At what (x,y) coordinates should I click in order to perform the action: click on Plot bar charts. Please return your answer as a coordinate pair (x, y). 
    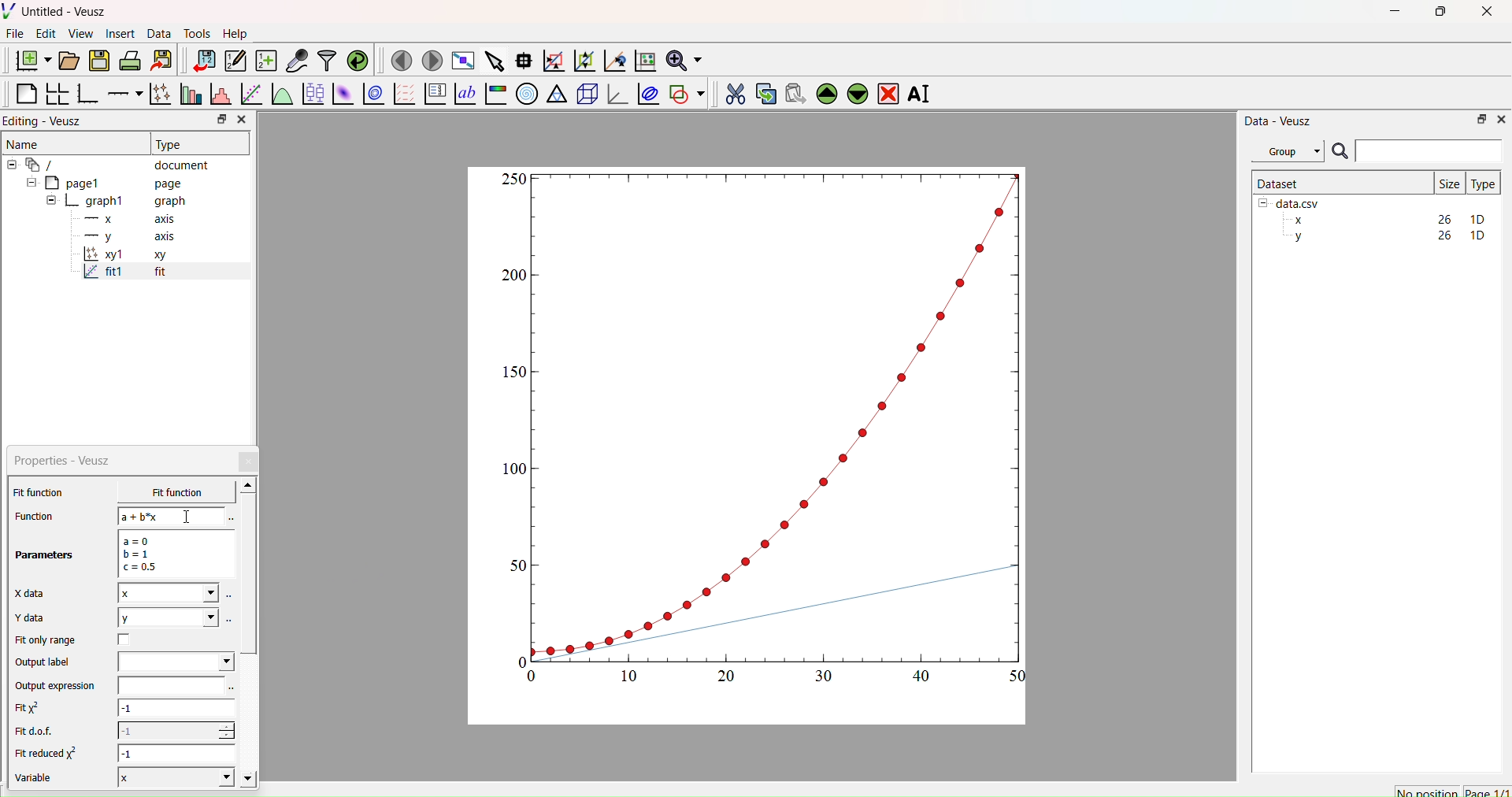
    Looking at the image, I should click on (189, 95).